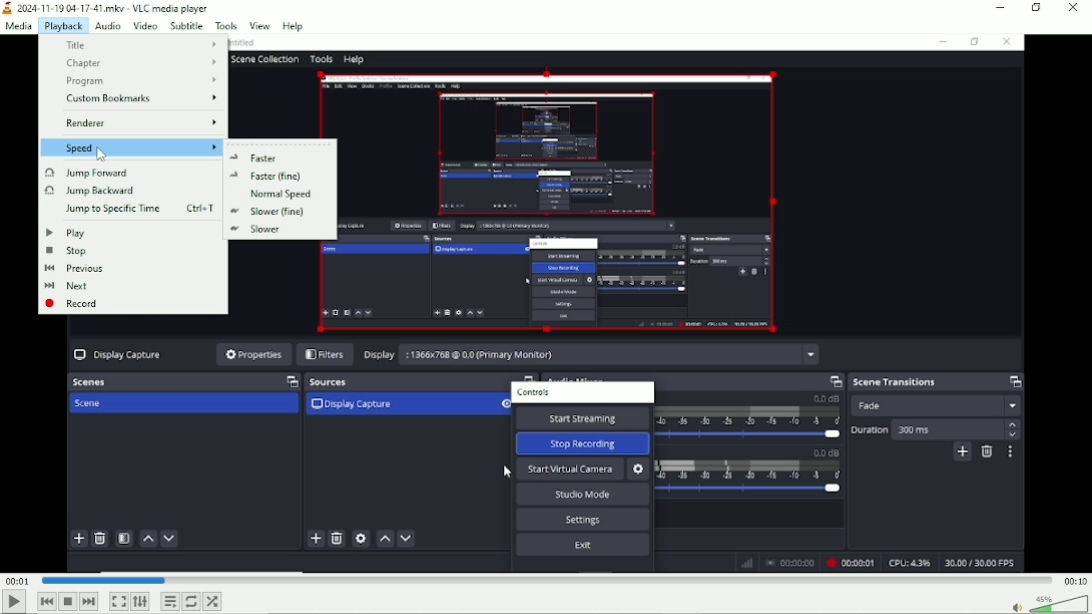 The height and width of the screenshot is (614, 1092). Describe the element at coordinates (127, 190) in the screenshot. I see `jump backward` at that location.